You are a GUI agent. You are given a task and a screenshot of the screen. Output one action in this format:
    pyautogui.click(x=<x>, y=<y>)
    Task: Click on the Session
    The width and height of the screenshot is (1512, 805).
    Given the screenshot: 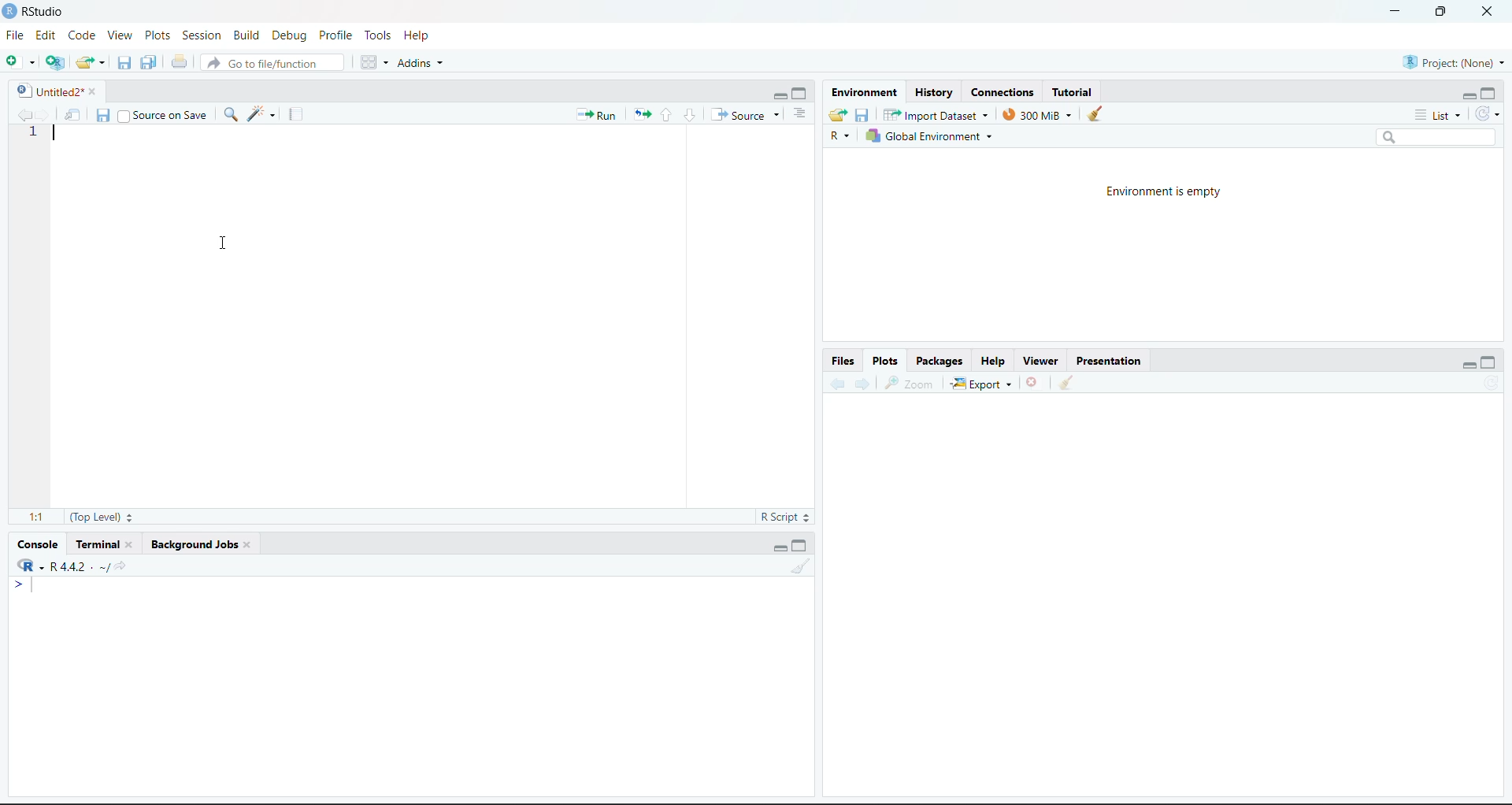 What is the action you would take?
    pyautogui.click(x=201, y=35)
    